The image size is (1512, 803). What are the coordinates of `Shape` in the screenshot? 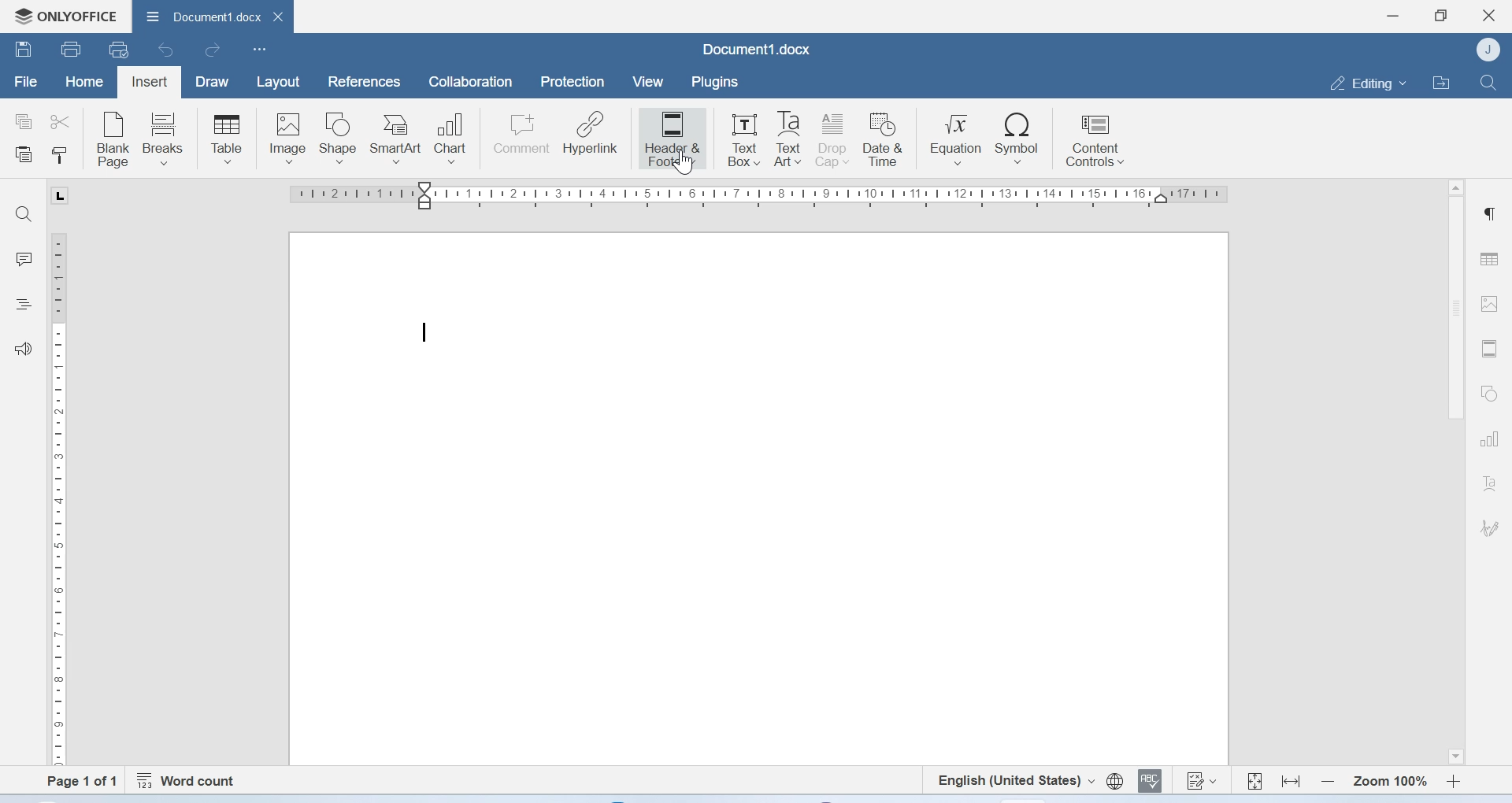 It's located at (340, 138).